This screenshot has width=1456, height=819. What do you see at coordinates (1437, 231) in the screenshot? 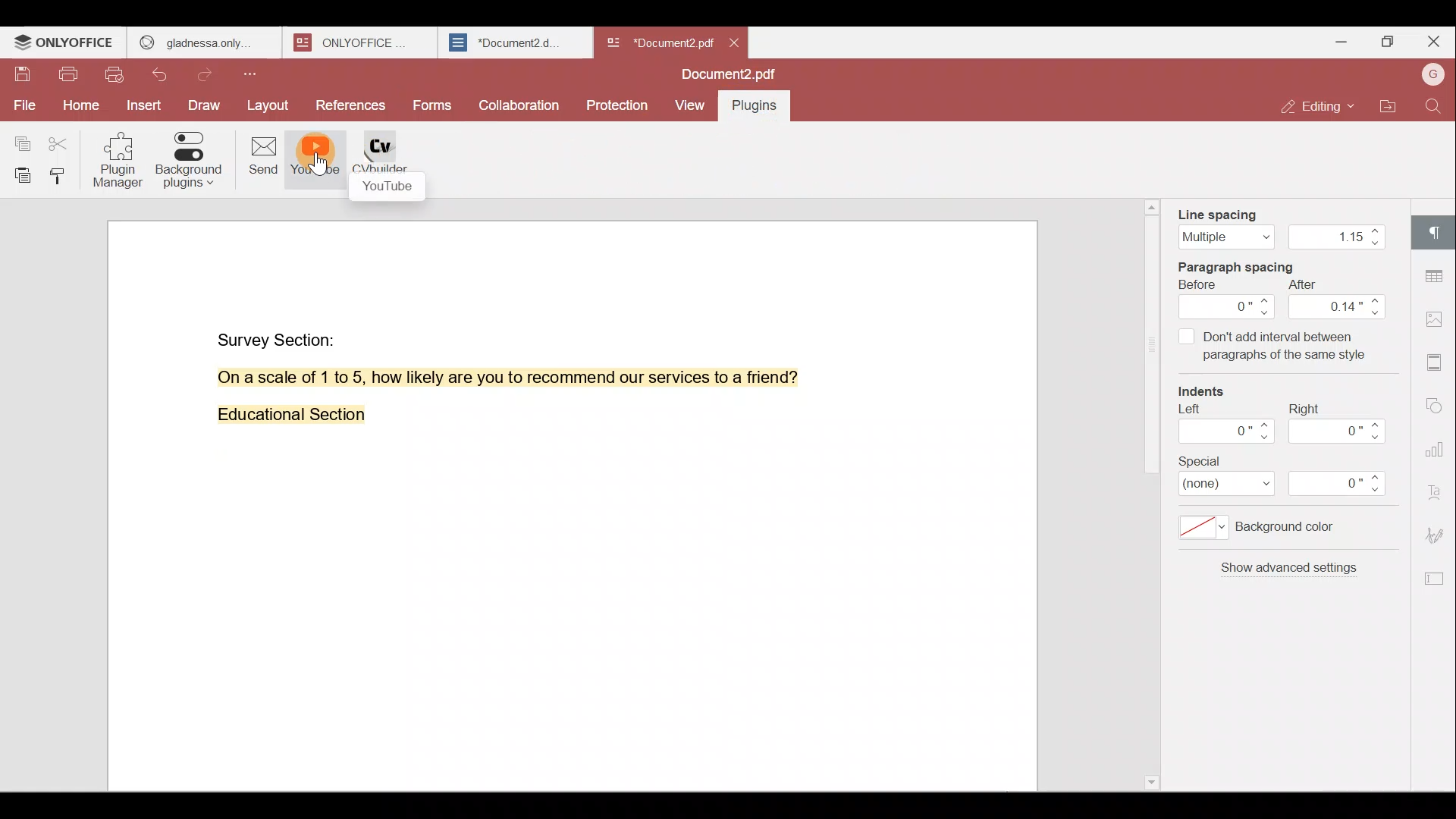
I see `Paragraph settings` at bounding box center [1437, 231].